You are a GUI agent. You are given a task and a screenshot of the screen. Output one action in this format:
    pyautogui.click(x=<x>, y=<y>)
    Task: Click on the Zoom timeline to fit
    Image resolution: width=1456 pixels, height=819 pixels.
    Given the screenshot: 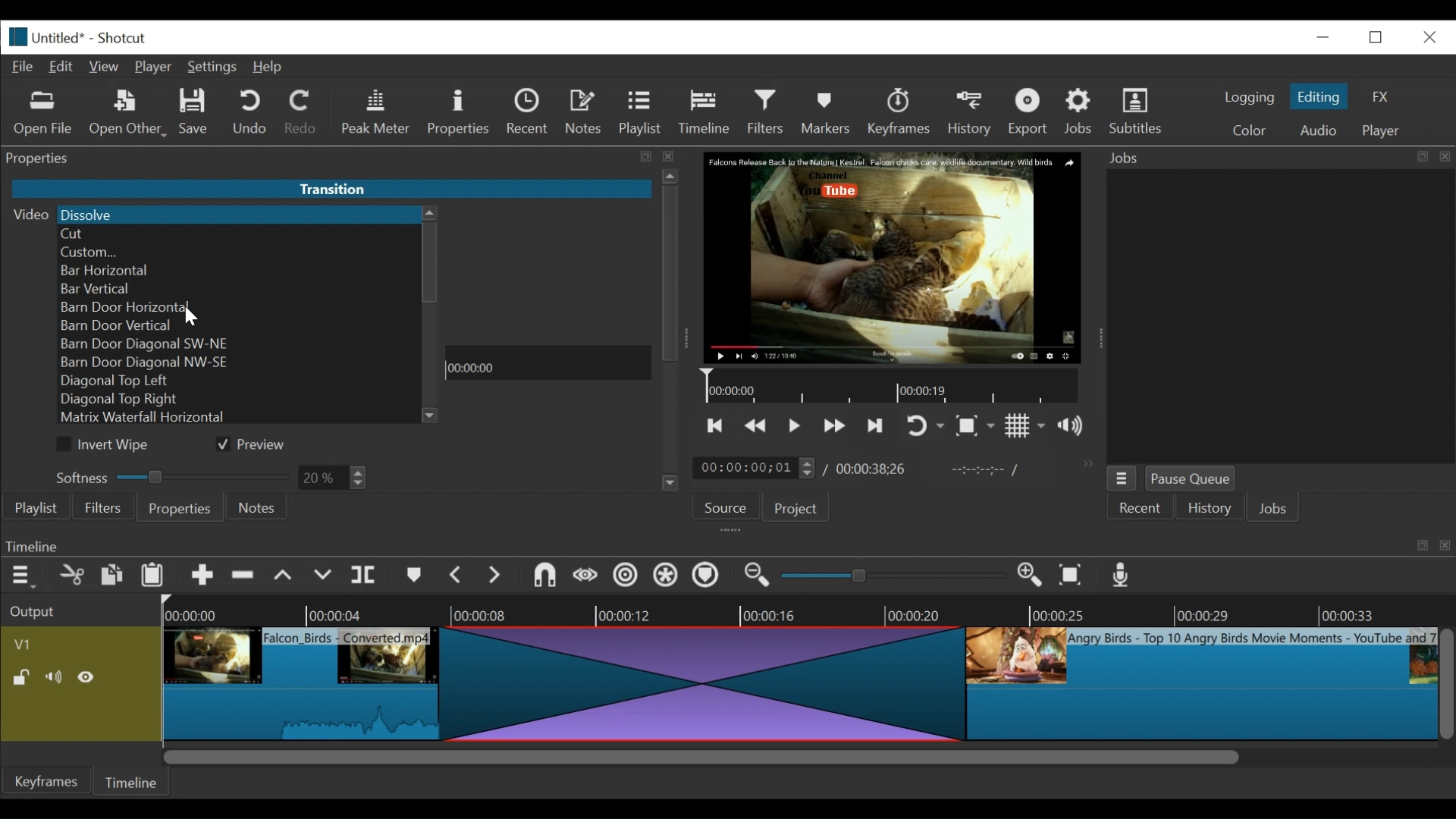 What is the action you would take?
    pyautogui.click(x=1075, y=576)
    